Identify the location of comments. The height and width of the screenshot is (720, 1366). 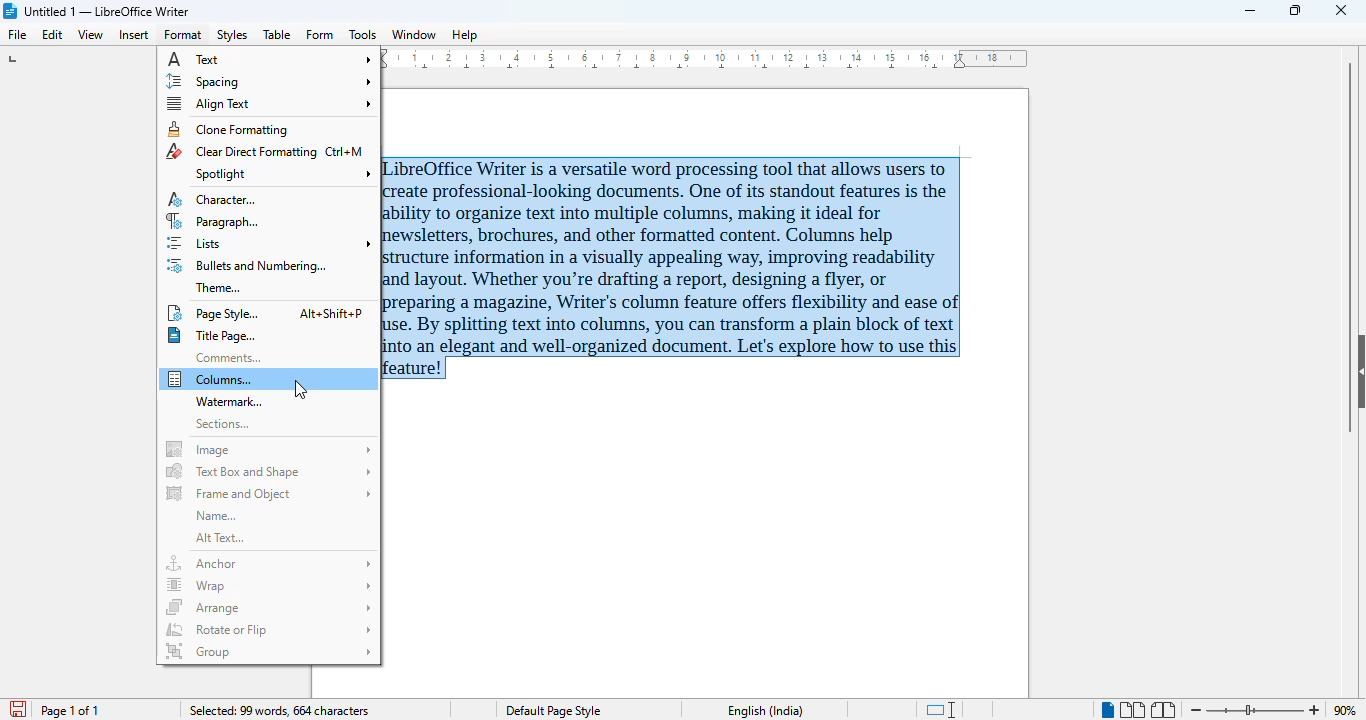
(228, 358).